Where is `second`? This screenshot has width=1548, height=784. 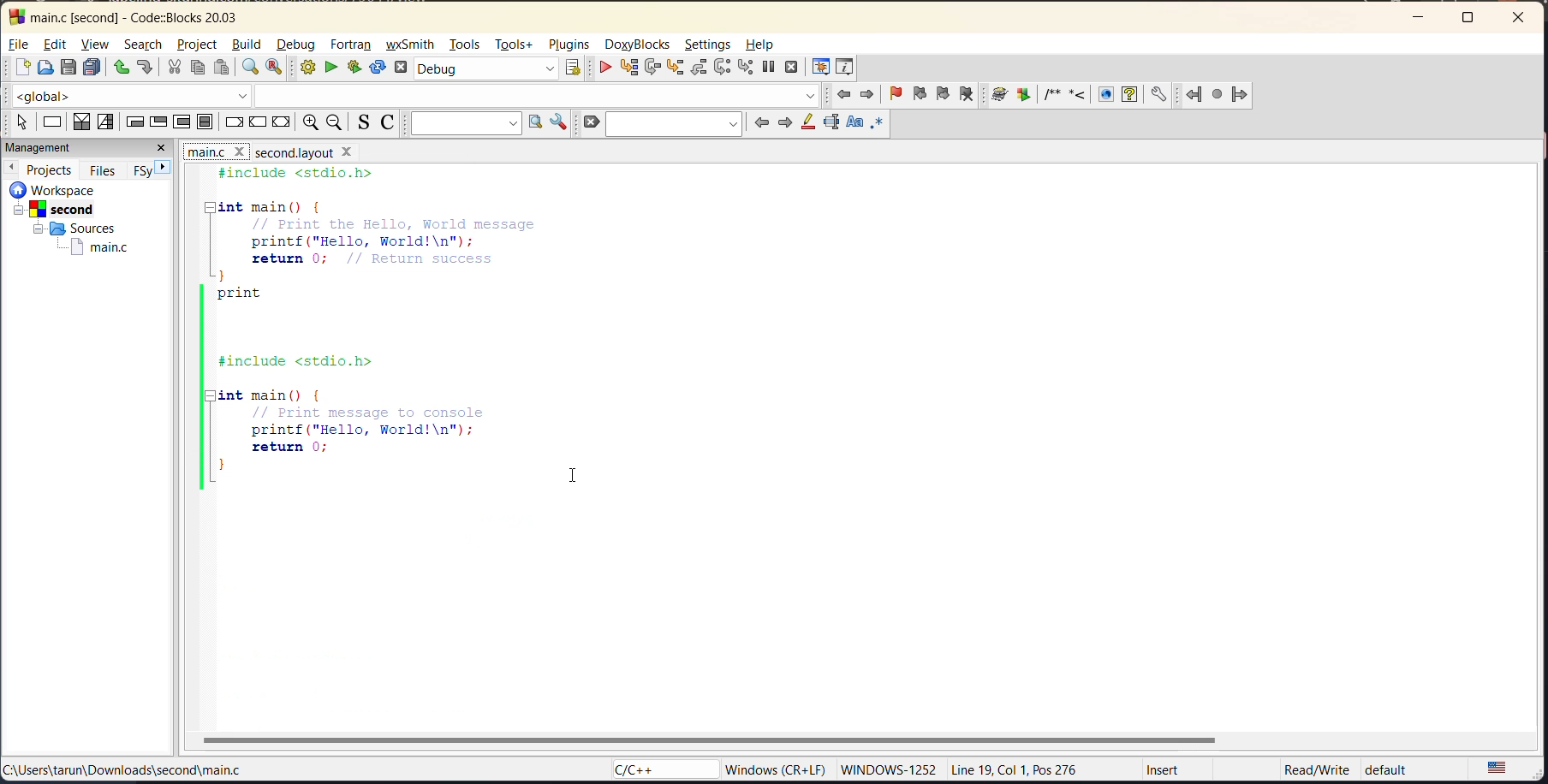
second is located at coordinates (56, 211).